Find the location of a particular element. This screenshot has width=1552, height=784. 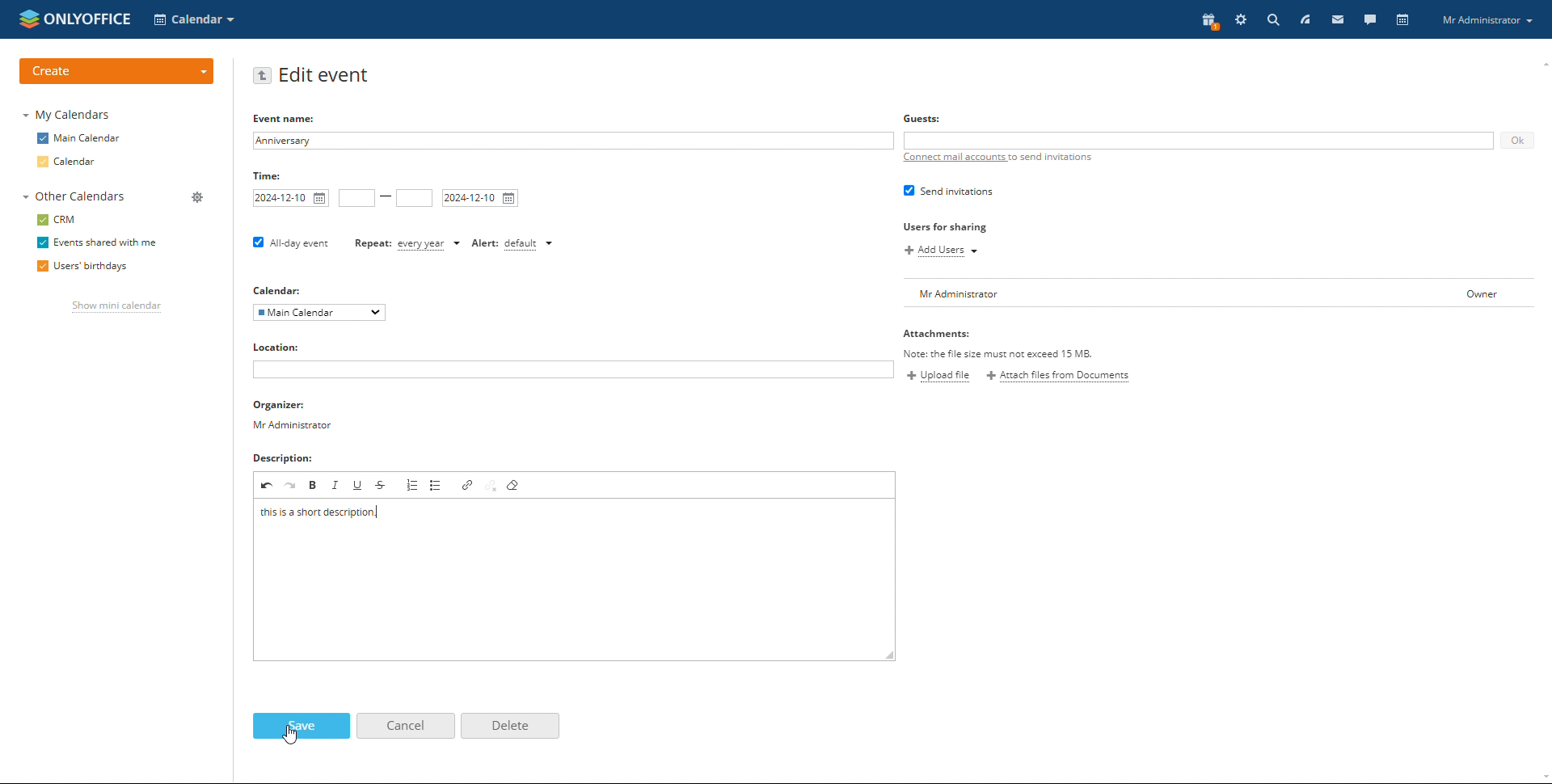

main calendar is located at coordinates (78, 139).